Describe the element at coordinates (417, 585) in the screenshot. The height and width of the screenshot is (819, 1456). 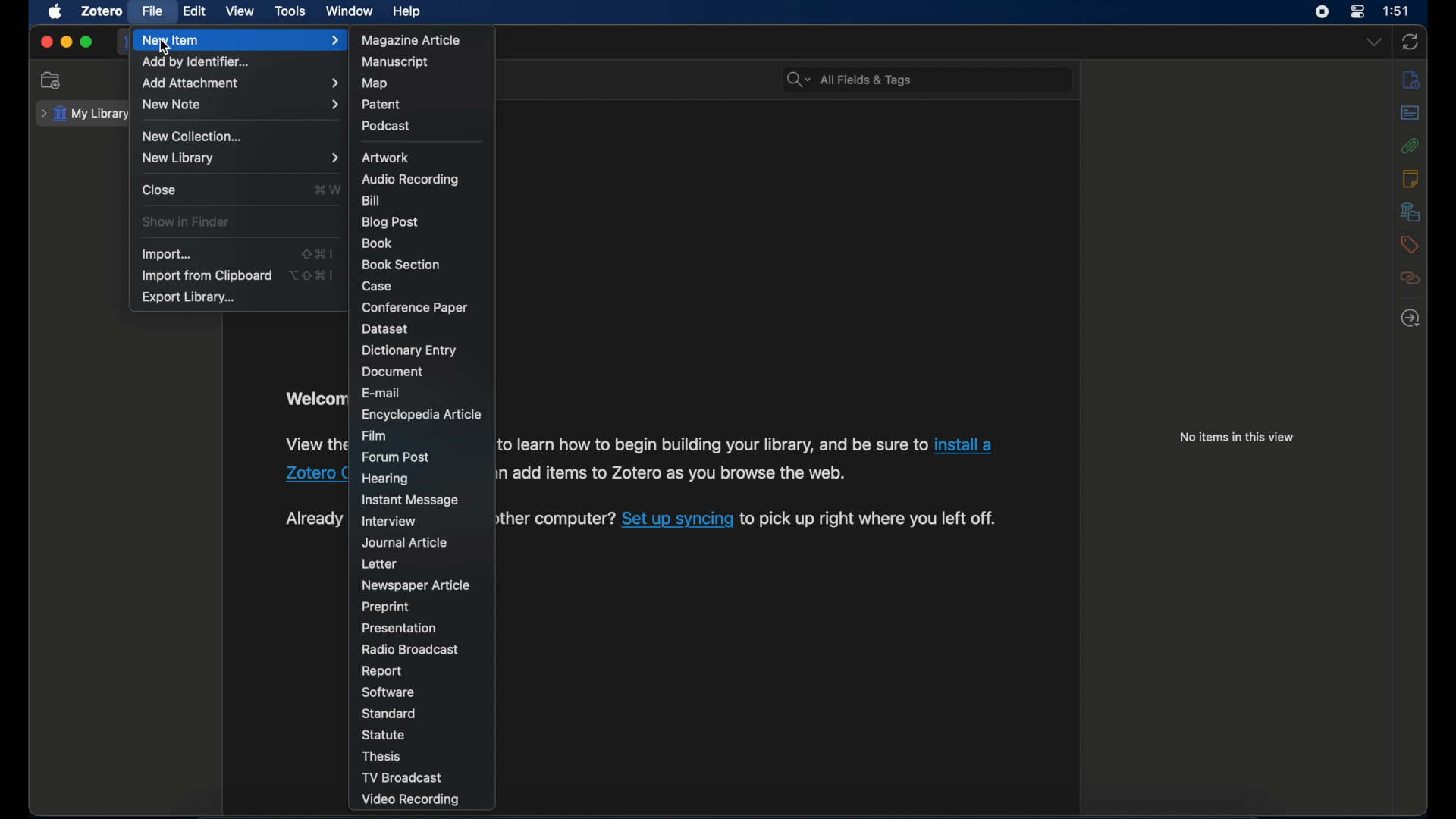
I see `newspaper article` at that location.